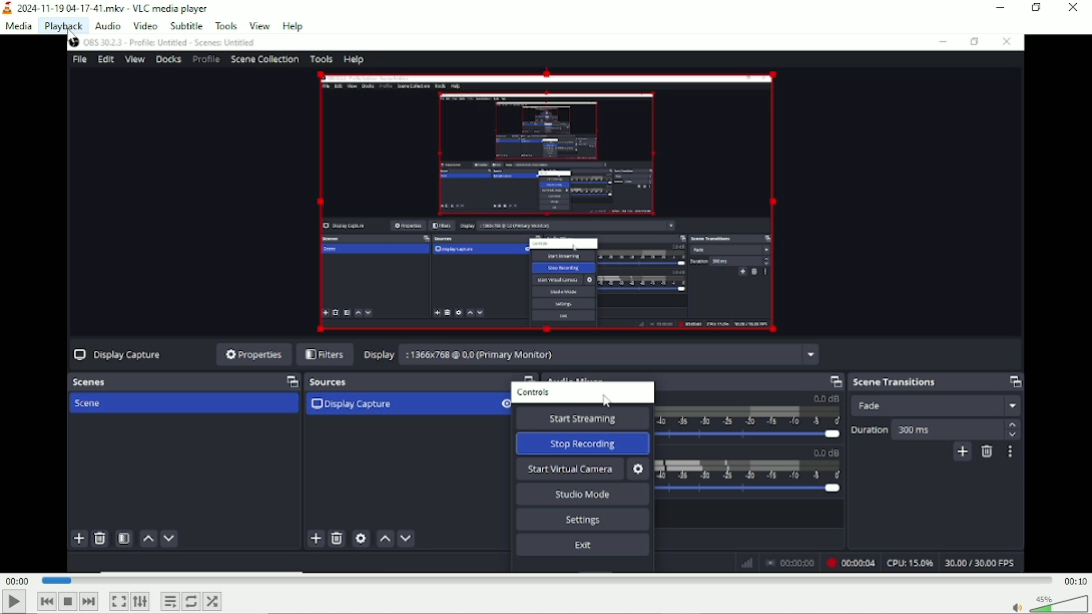 The height and width of the screenshot is (614, 1092). What do you see at coordinates (140, 602) in the screenshot?
I see `Show extended settings` at bounding box center [140, 602].